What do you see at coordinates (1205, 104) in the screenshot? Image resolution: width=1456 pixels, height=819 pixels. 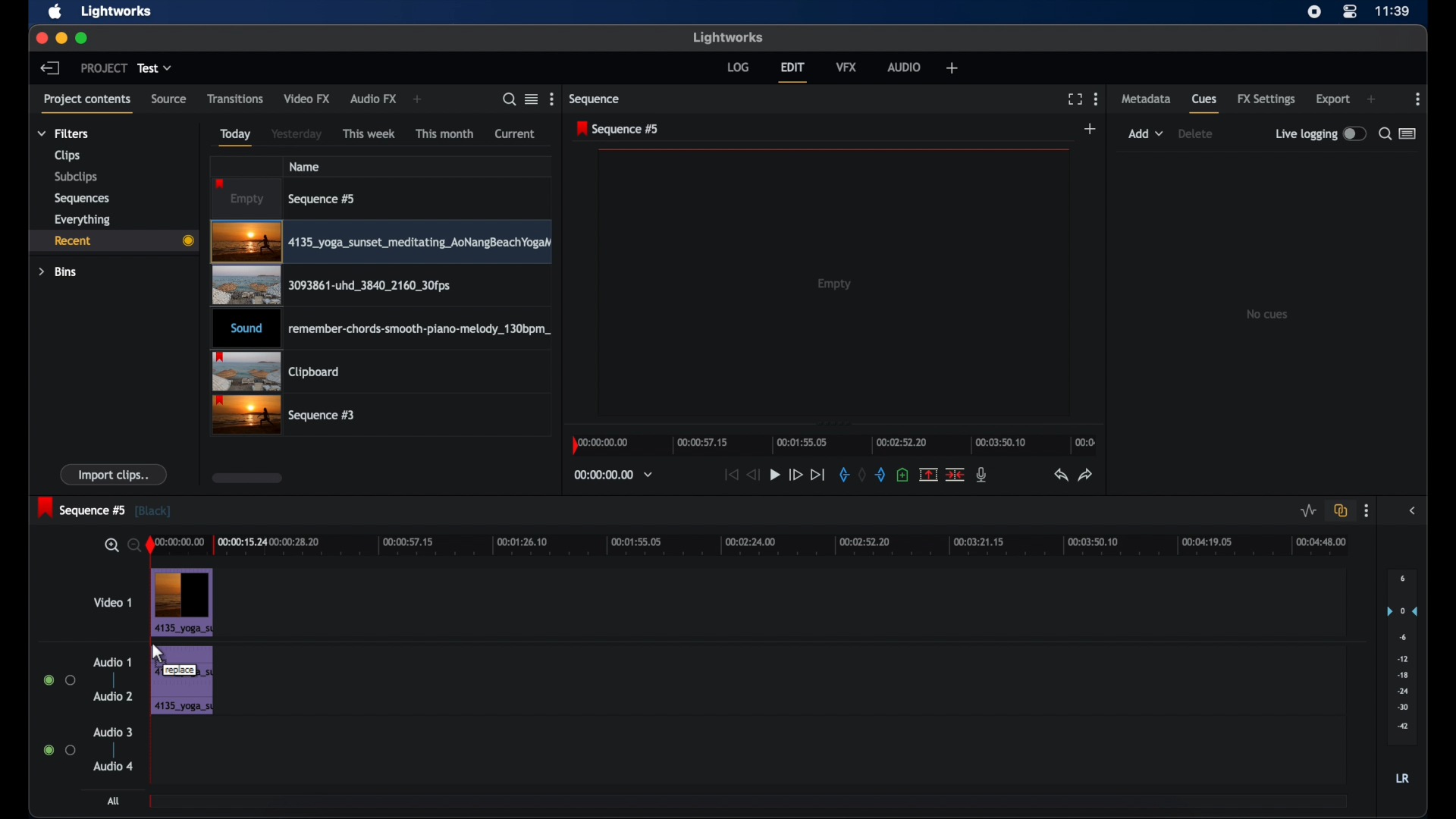 I see `cues` at bounding box center [1205, 104].